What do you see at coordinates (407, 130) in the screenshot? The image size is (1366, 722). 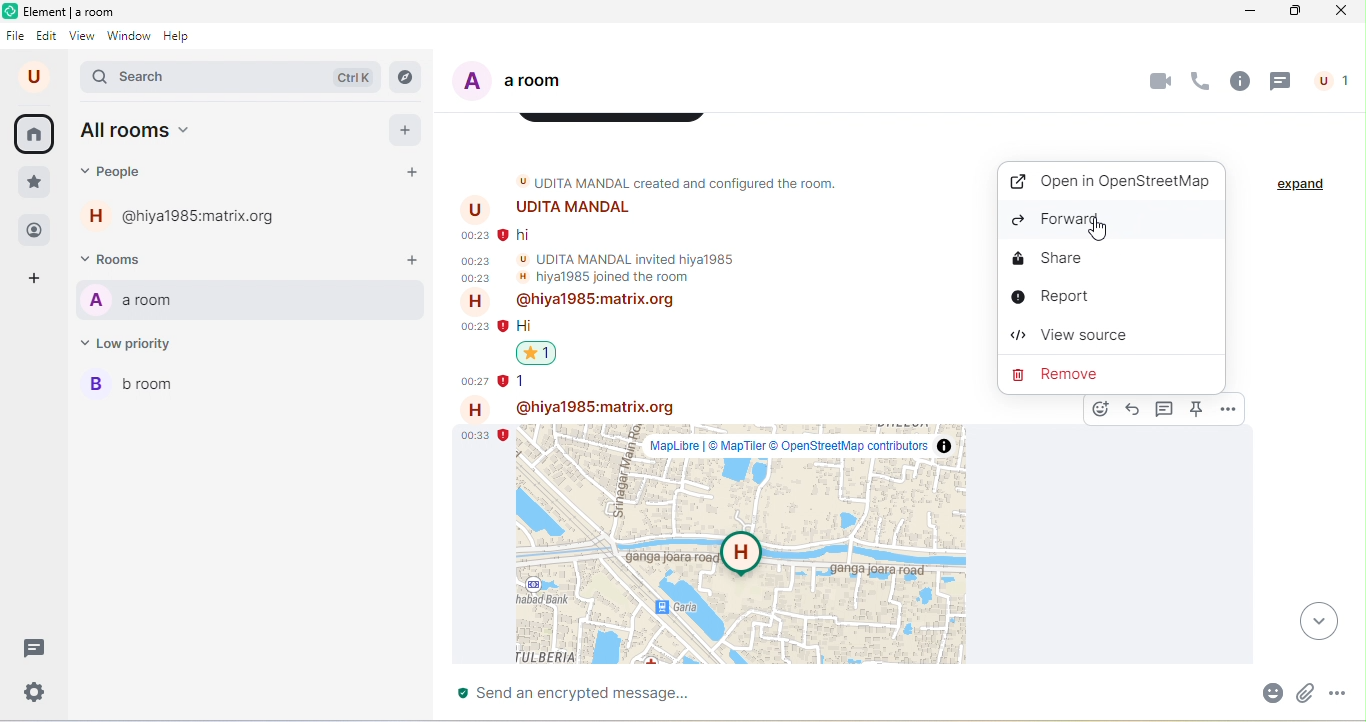 I see `add` at bounding box center [407, 130].